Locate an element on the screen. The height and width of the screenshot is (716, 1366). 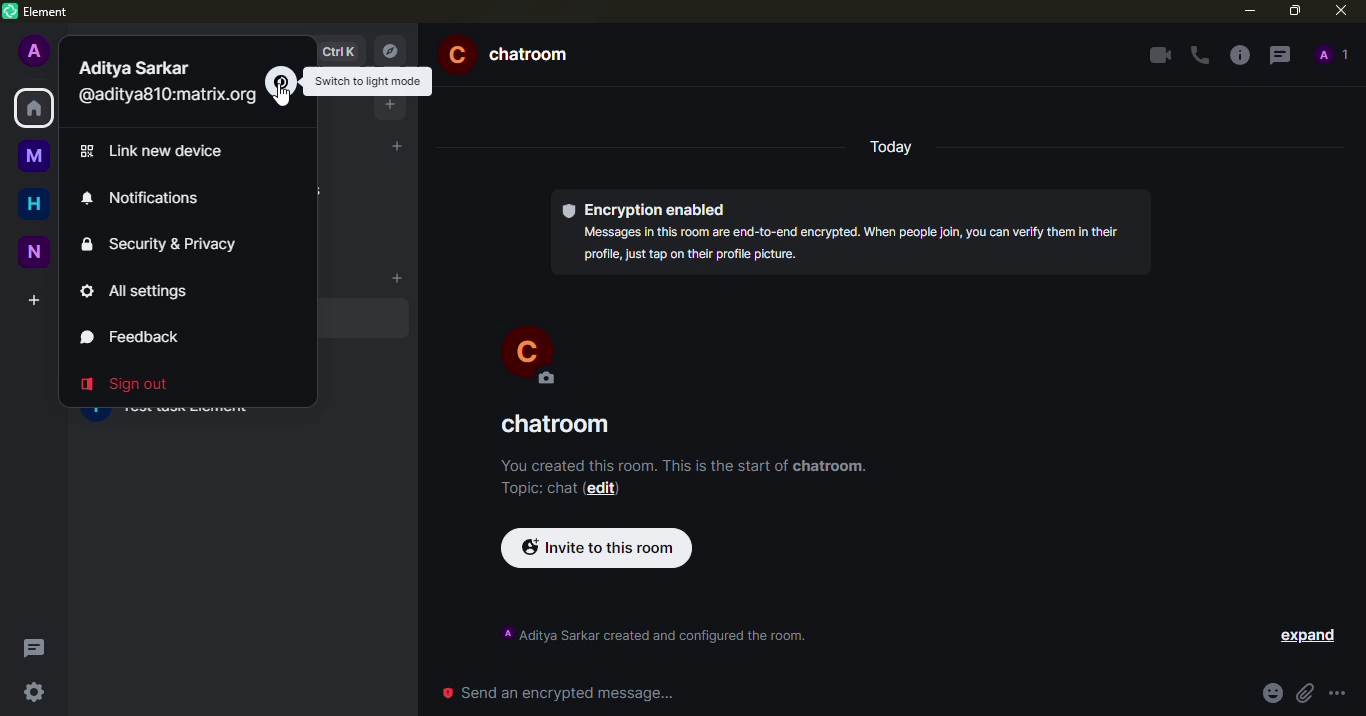
switch mode is located at coordinates (280, 78).